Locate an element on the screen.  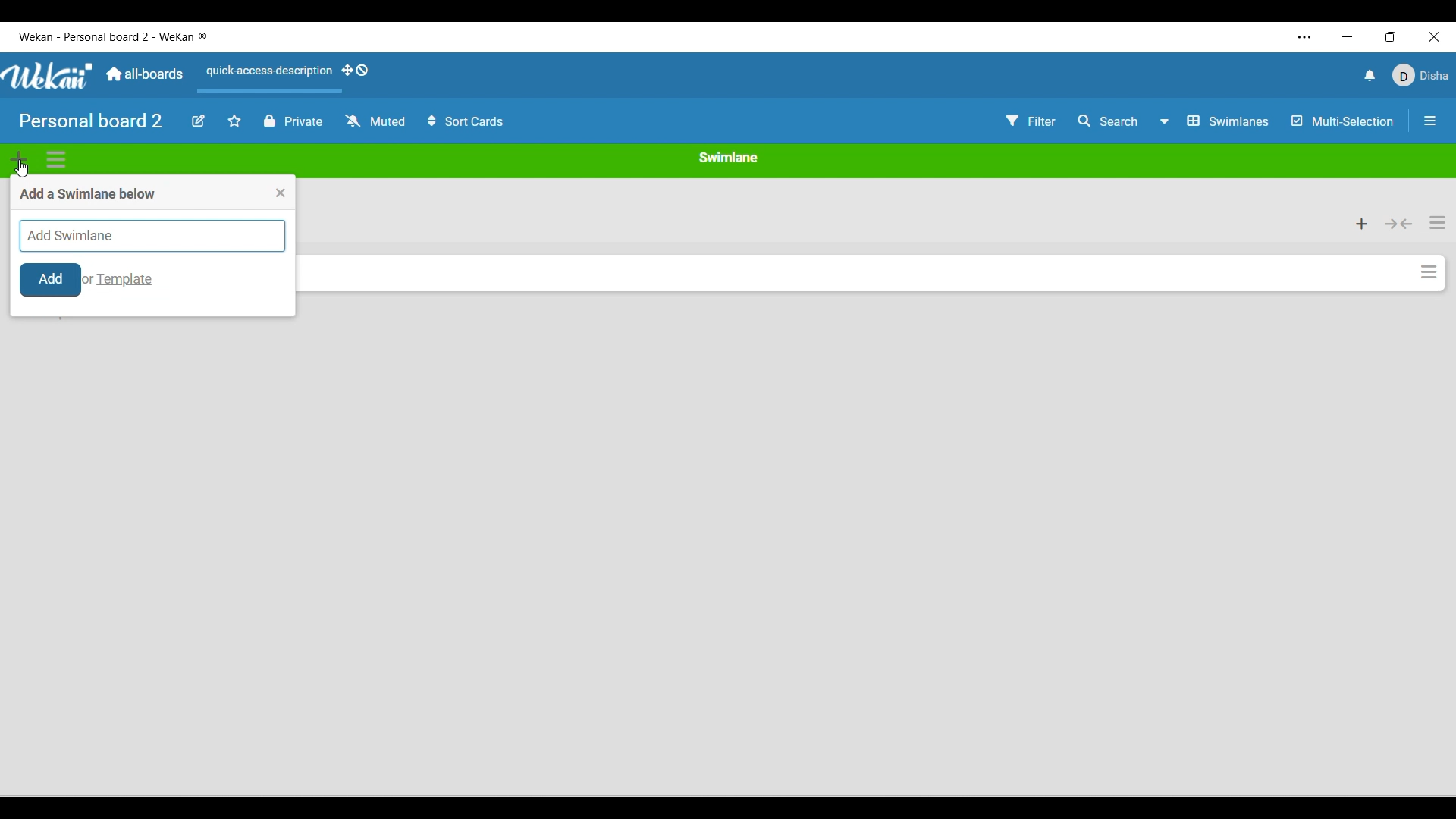
Software and board logo is located at coordinates (113, 37).